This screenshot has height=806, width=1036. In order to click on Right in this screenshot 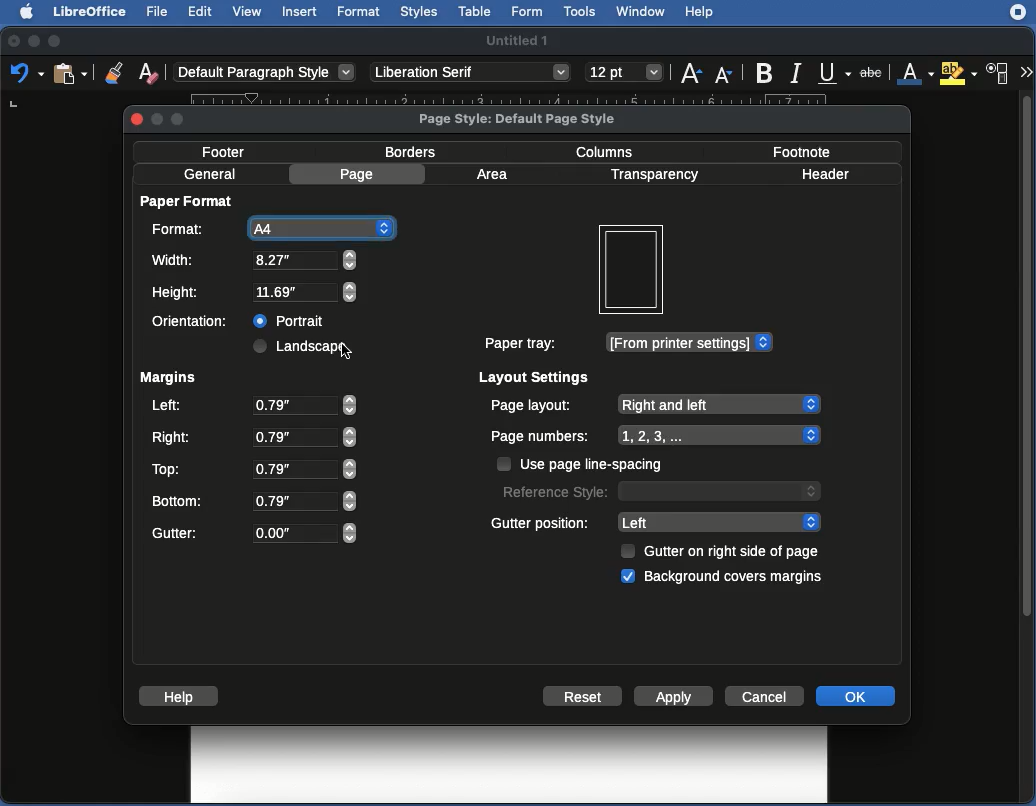, I will do `click(173, 435)`.